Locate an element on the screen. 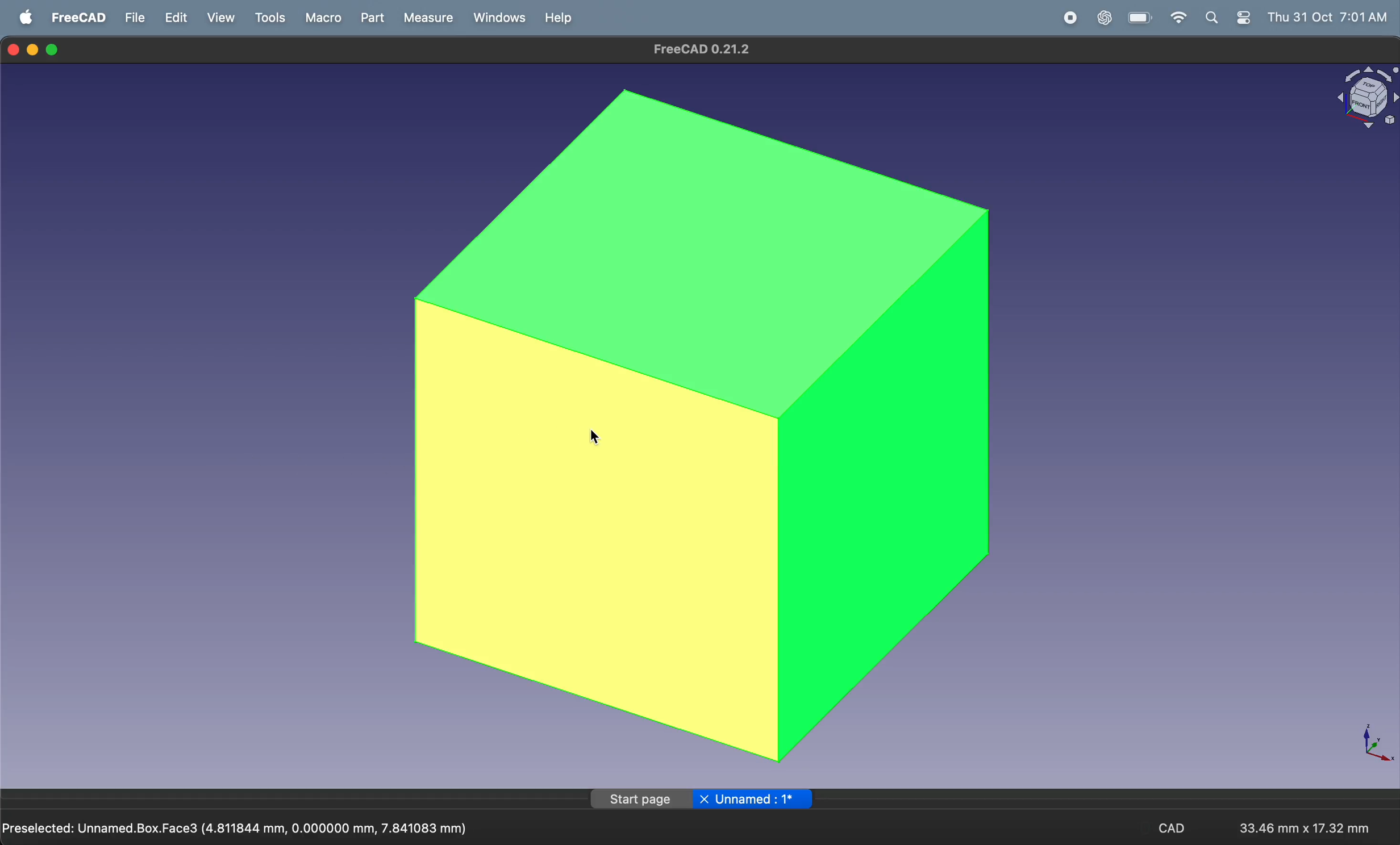 The image size is (1400, 845). preselected unamed is located at coordinates (240, 826).